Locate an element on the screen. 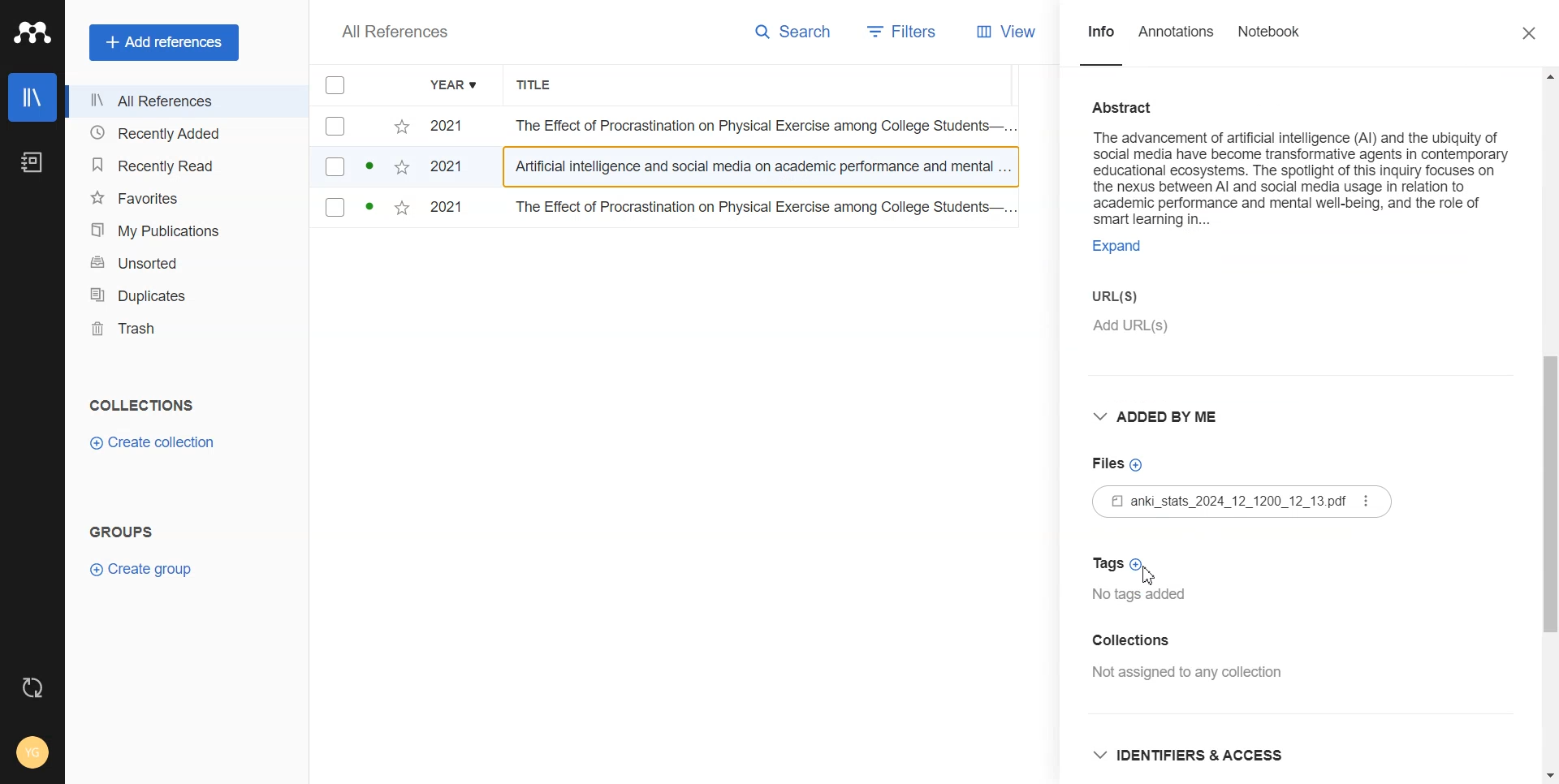 This screenshot has width=1559, height=784. 2021 is located at coordinates (453, 170).